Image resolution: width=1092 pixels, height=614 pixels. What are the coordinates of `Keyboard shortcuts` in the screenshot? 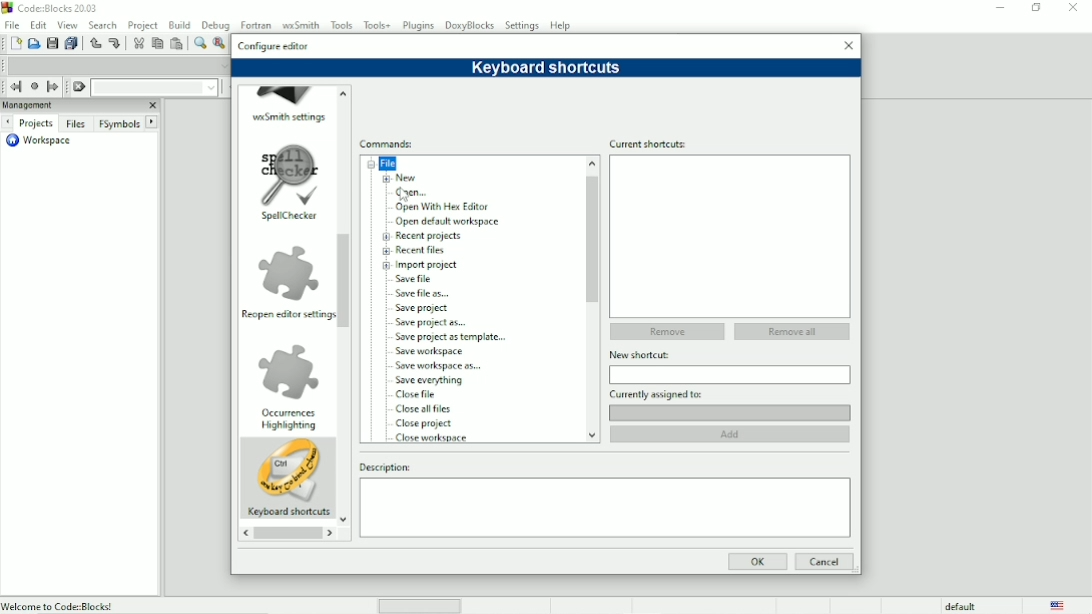 It's located at (547, 68).